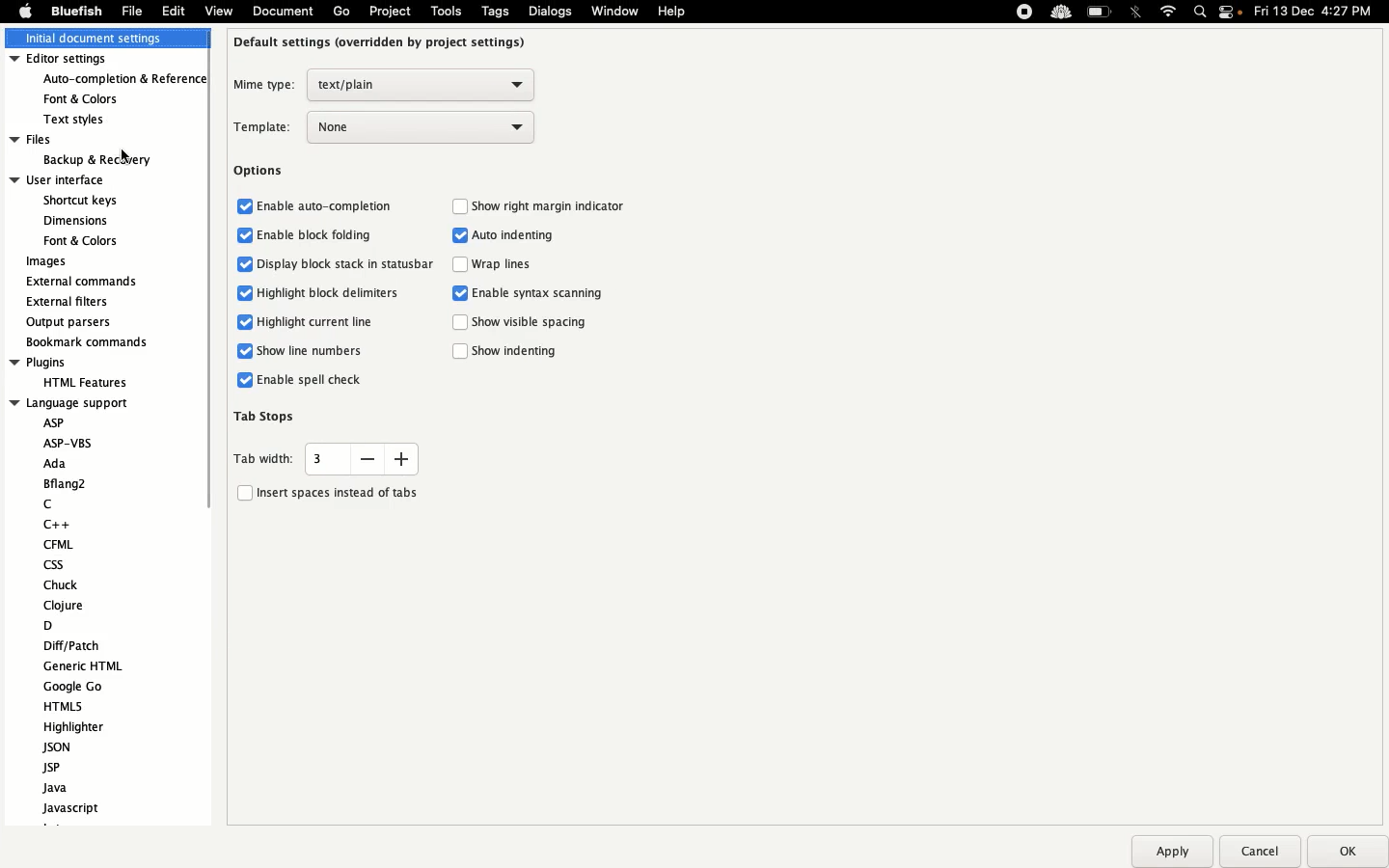  Describe the element at coordinates (91, 150) in the screenshot. I see `Files` at that location.